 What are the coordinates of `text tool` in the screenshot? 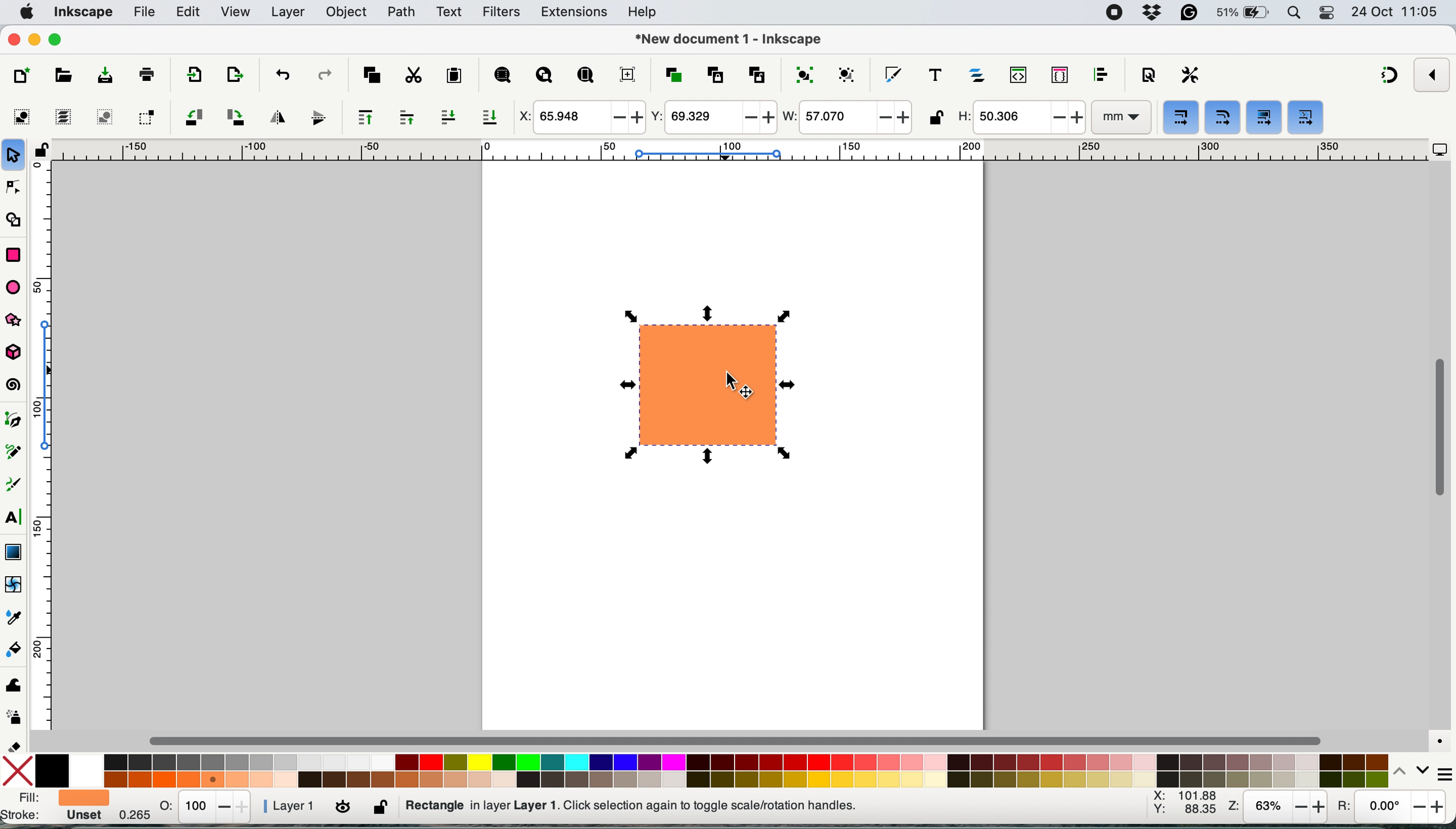 It's located at (14, 518).